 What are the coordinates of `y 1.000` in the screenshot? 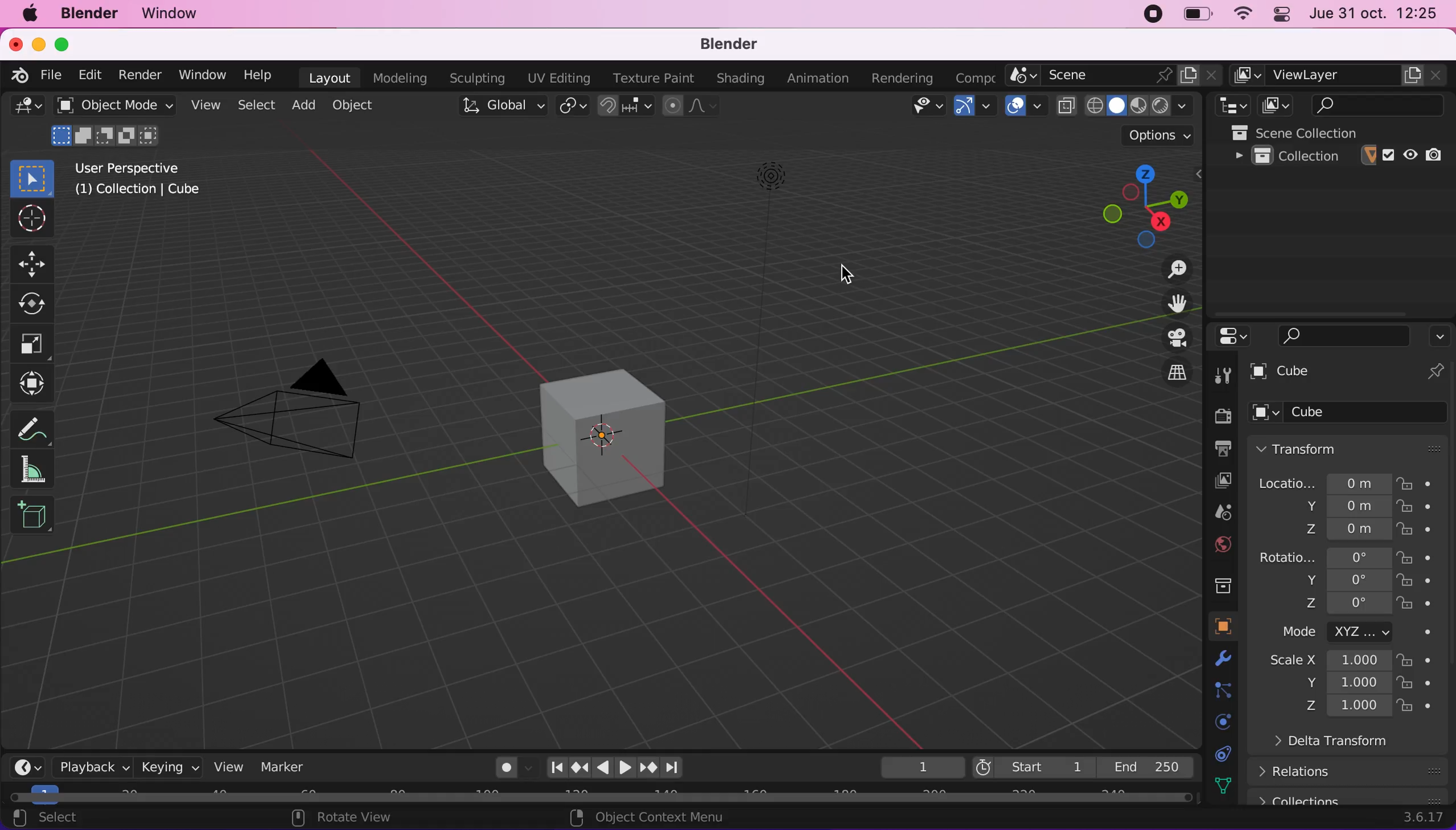 It's located at (1344, 684).